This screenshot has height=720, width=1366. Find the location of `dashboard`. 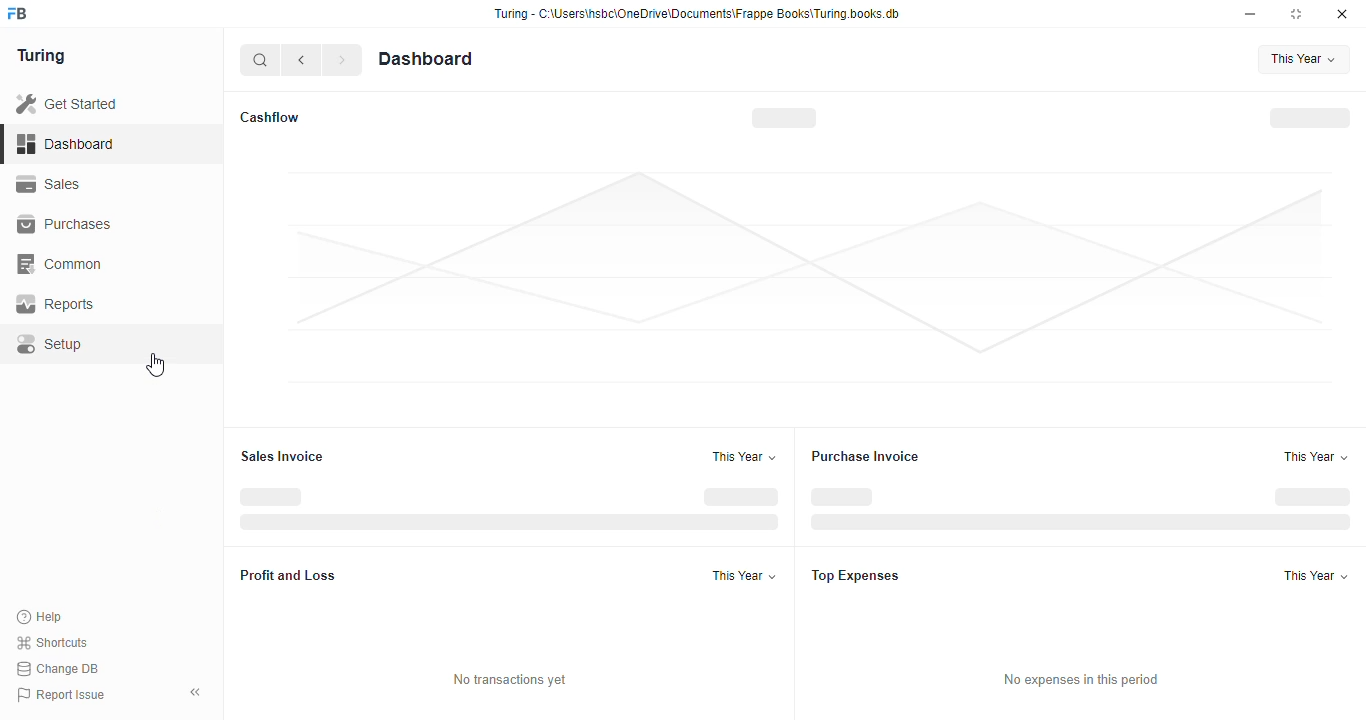

dashboard is located at coordinates (65, 143).